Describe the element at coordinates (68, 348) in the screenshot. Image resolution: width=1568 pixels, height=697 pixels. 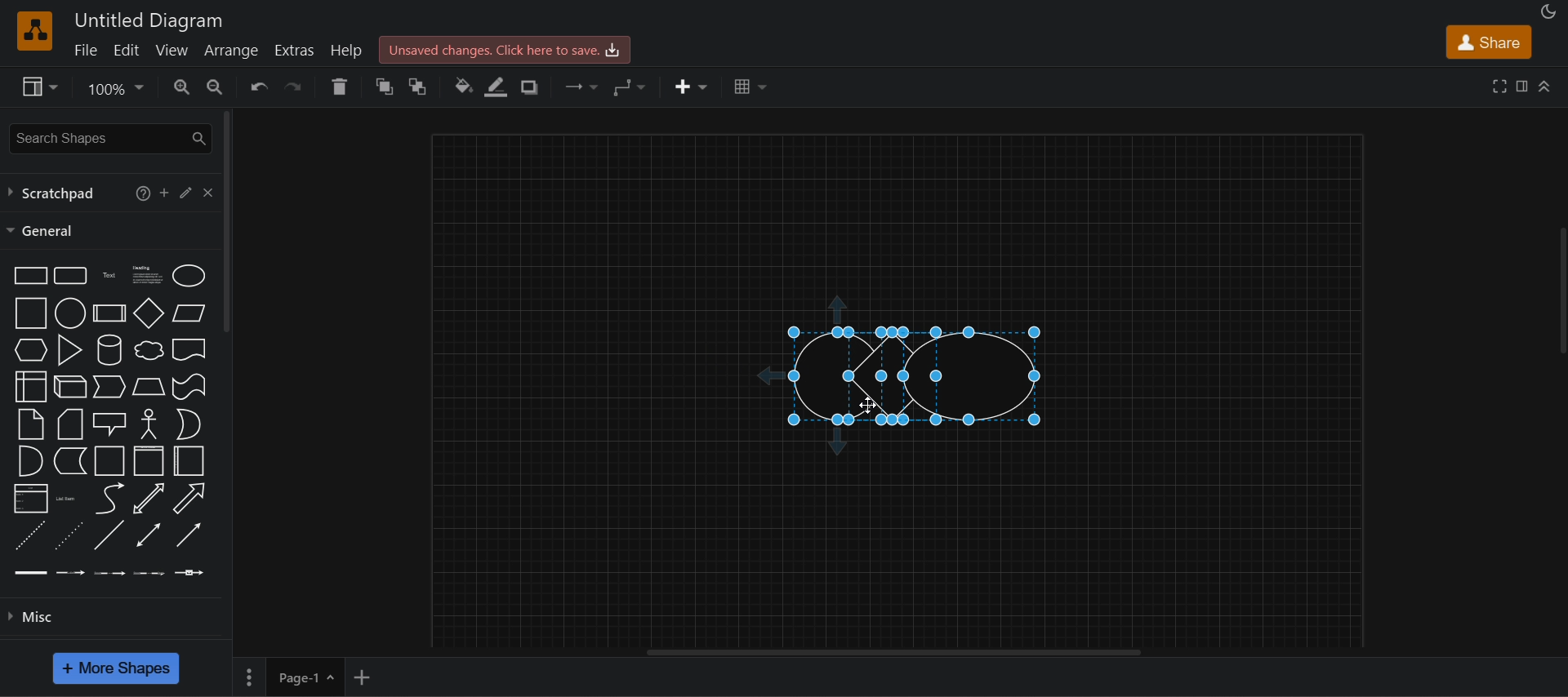
I see `triangle` at that location.